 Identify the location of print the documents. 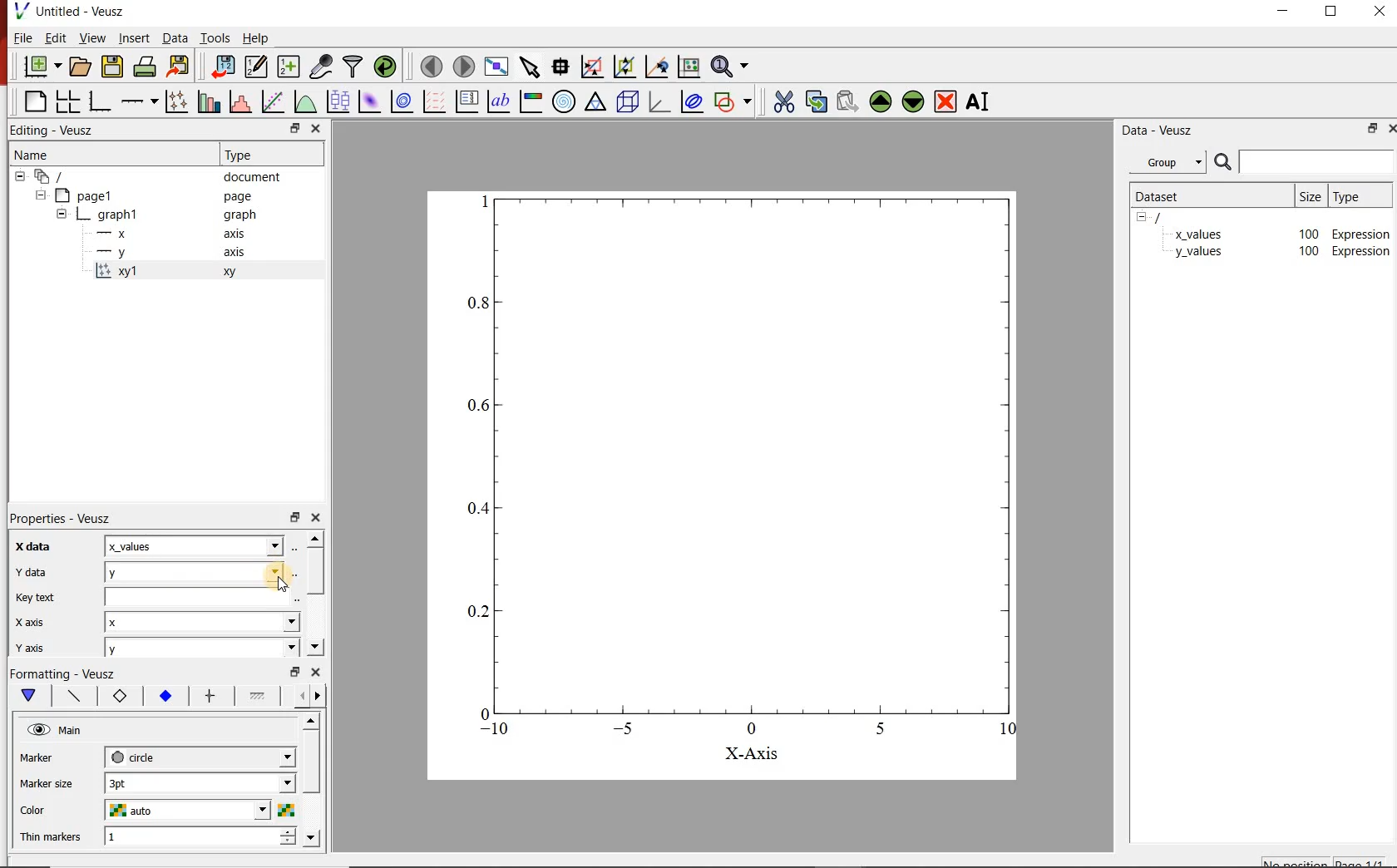
(145, 67).